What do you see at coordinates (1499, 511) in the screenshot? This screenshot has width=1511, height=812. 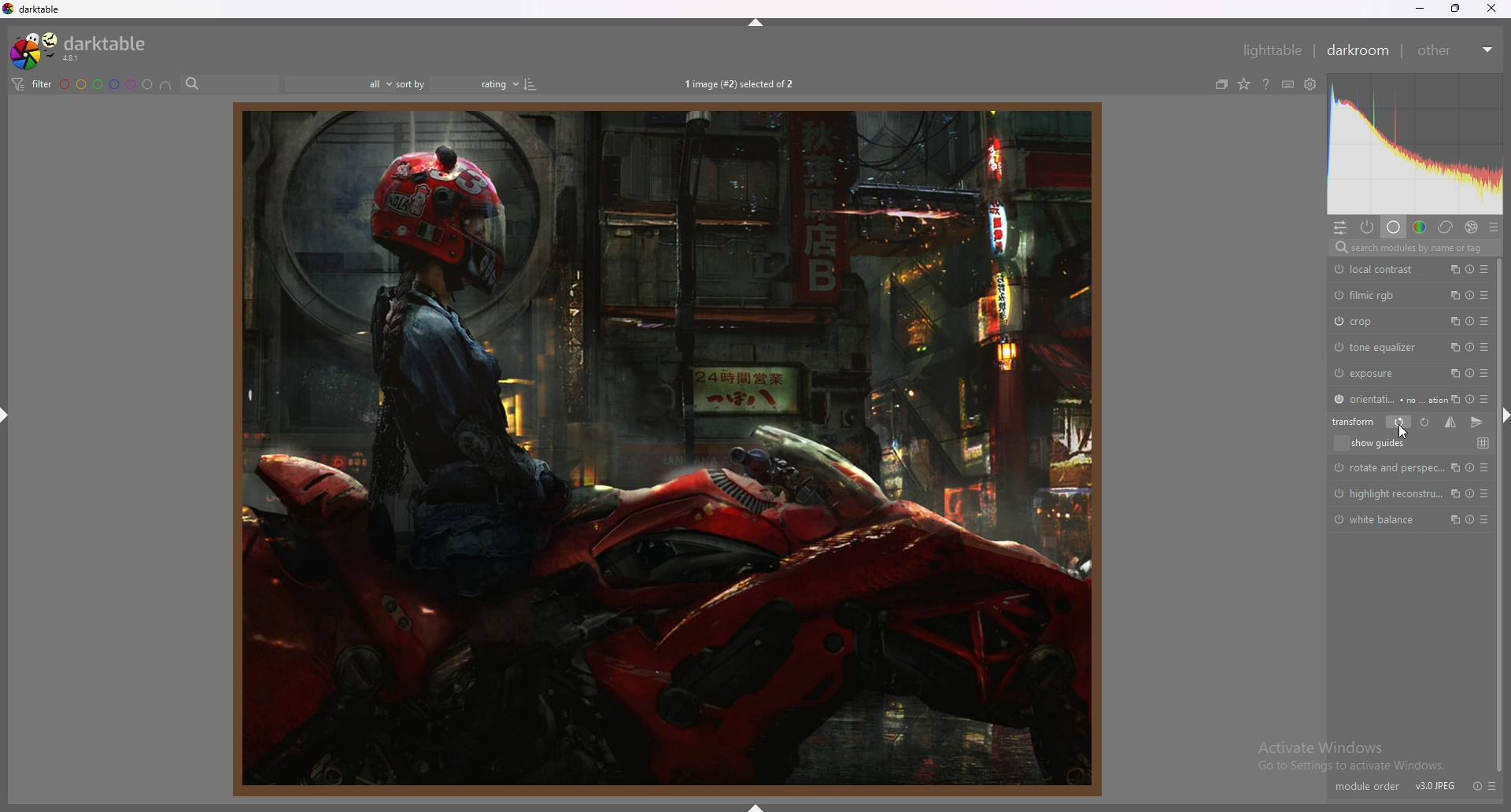 I see `scroll bar` at bounding box center [1499, 511].